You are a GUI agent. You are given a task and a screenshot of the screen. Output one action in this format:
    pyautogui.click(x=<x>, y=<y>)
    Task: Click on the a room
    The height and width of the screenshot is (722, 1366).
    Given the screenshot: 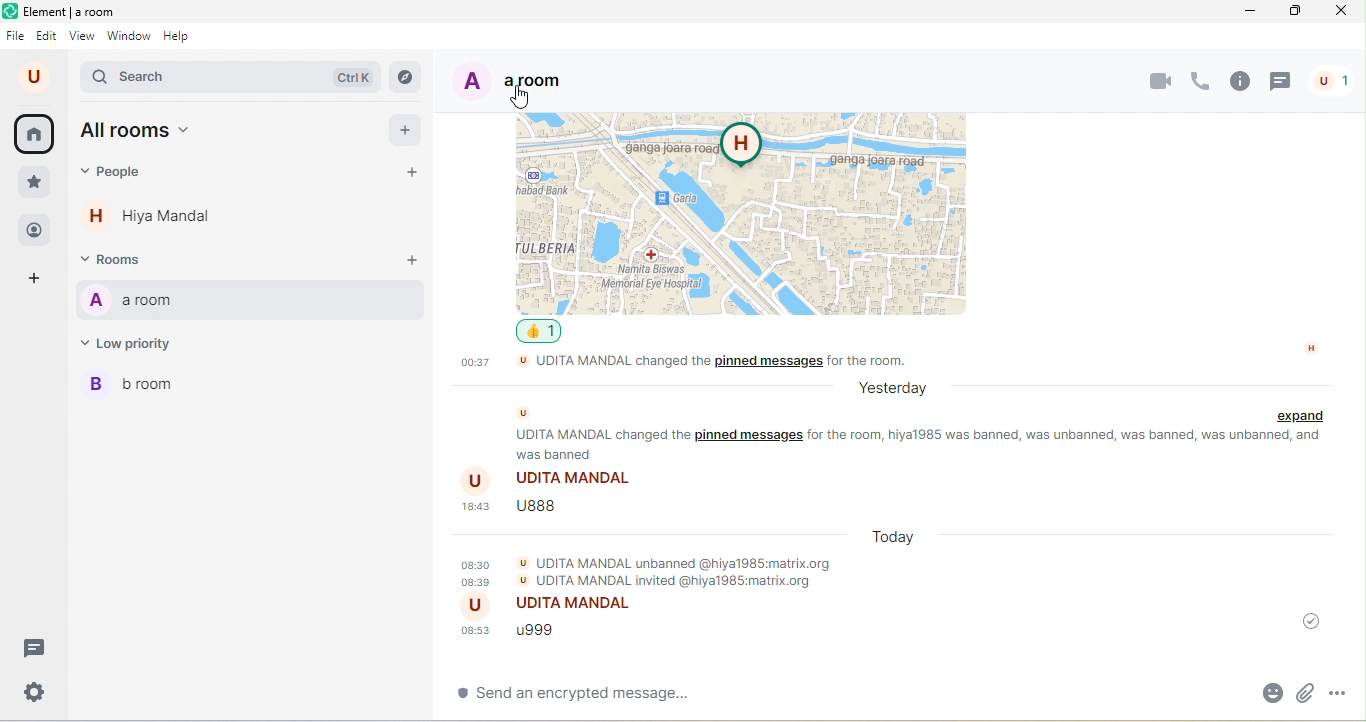 What is the action you would take?
    pyautogui.click(x=250, y=302)
    